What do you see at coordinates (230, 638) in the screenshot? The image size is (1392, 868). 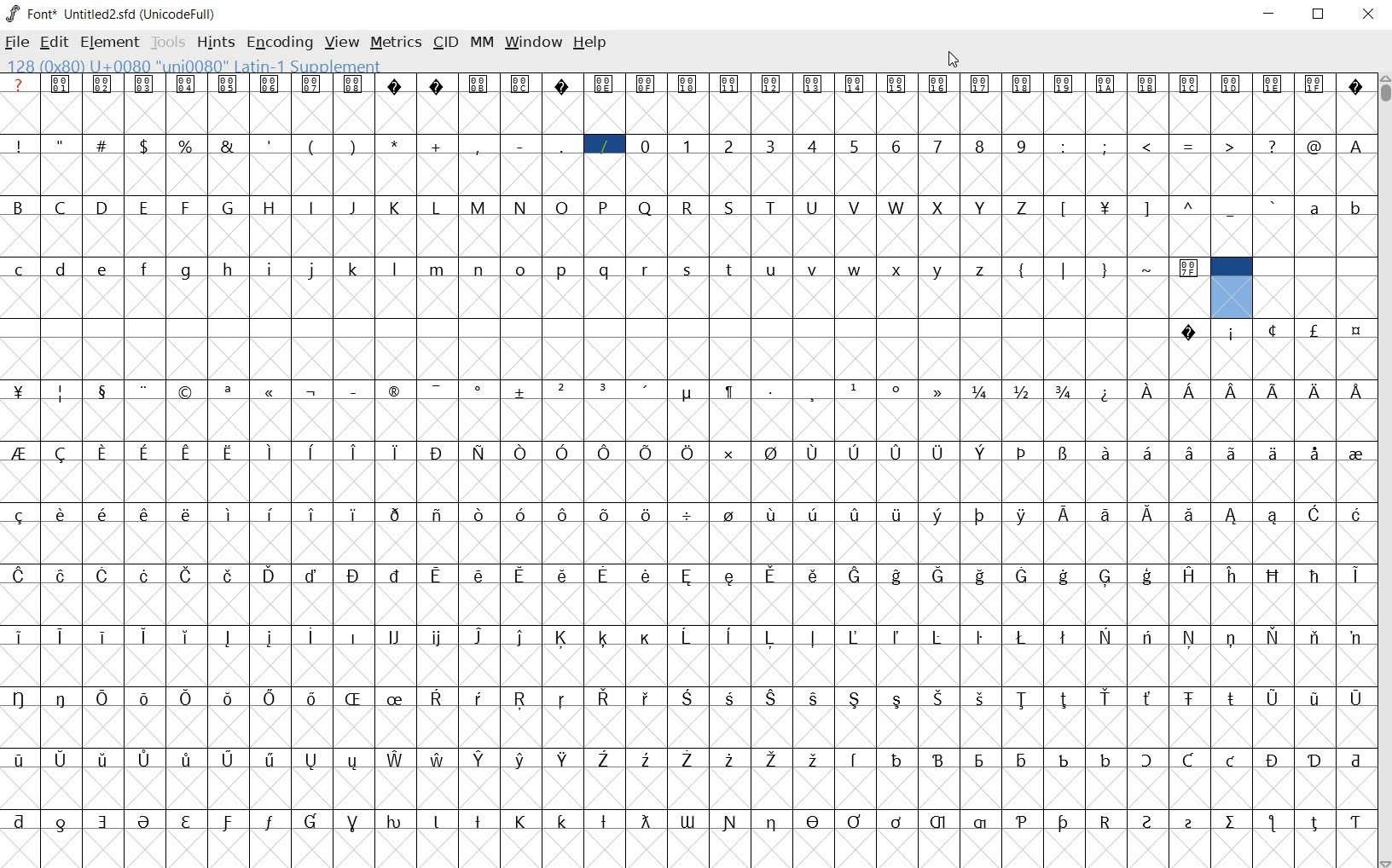 I see `Symbol` at bounding box center [230, 638].